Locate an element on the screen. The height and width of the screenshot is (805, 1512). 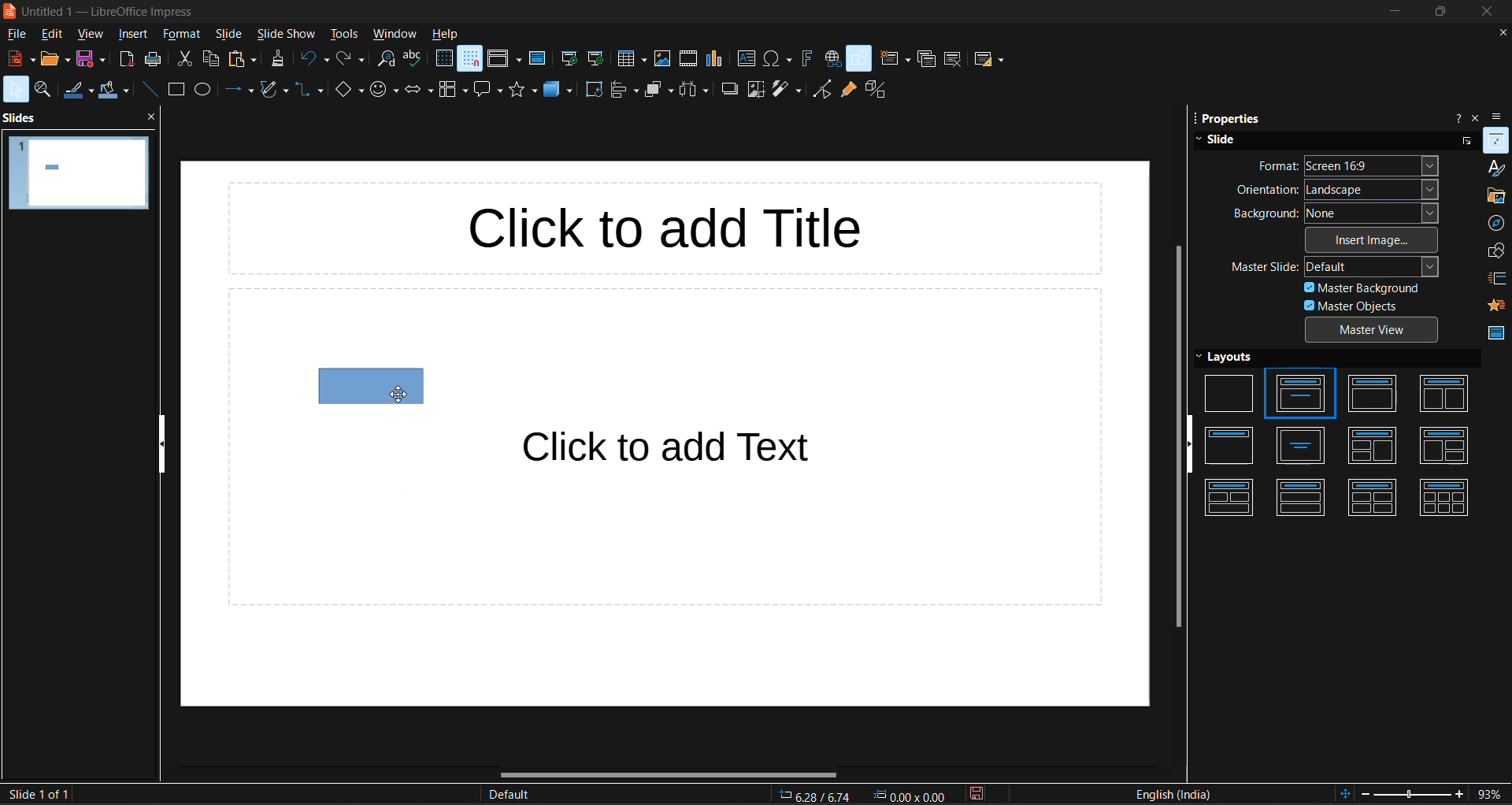
close is located at coordinates (1484, 13).